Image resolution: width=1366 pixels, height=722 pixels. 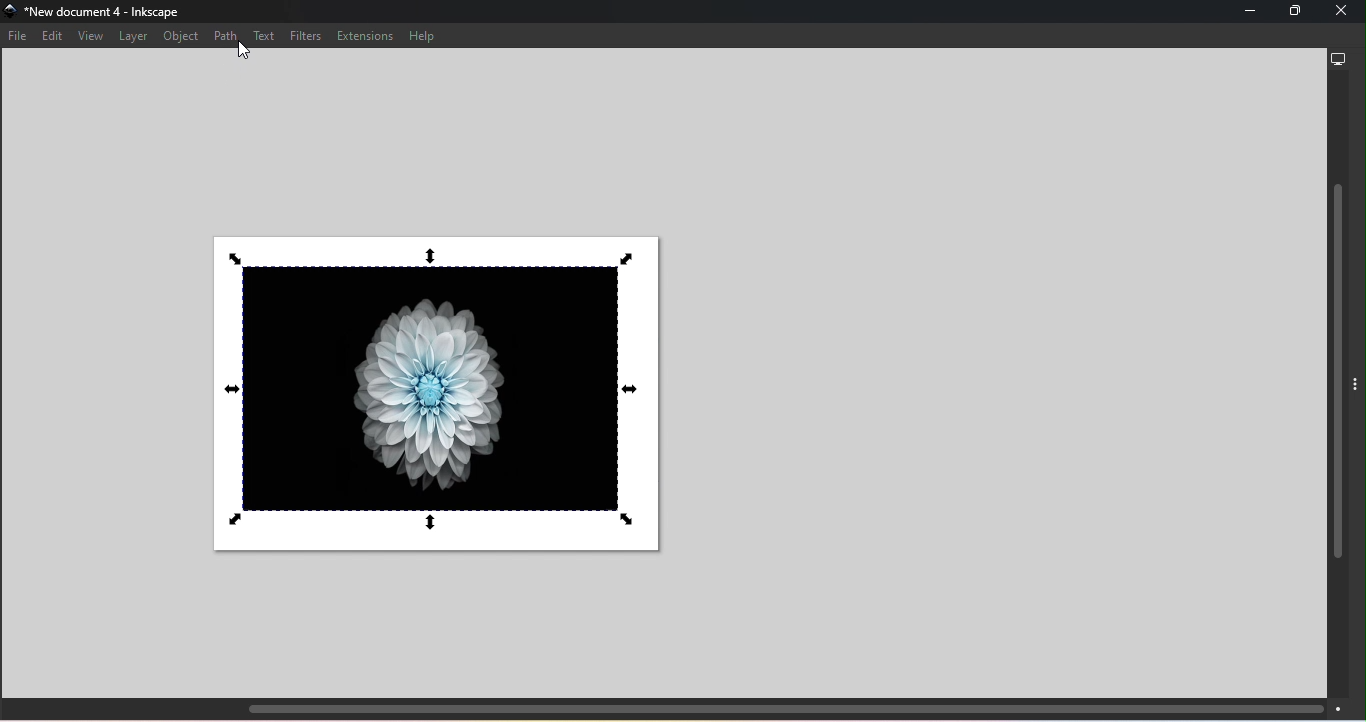 What do you see at coordinates (20, 39) in the screenshot?
I see `File` at bounding box center [20, 39].